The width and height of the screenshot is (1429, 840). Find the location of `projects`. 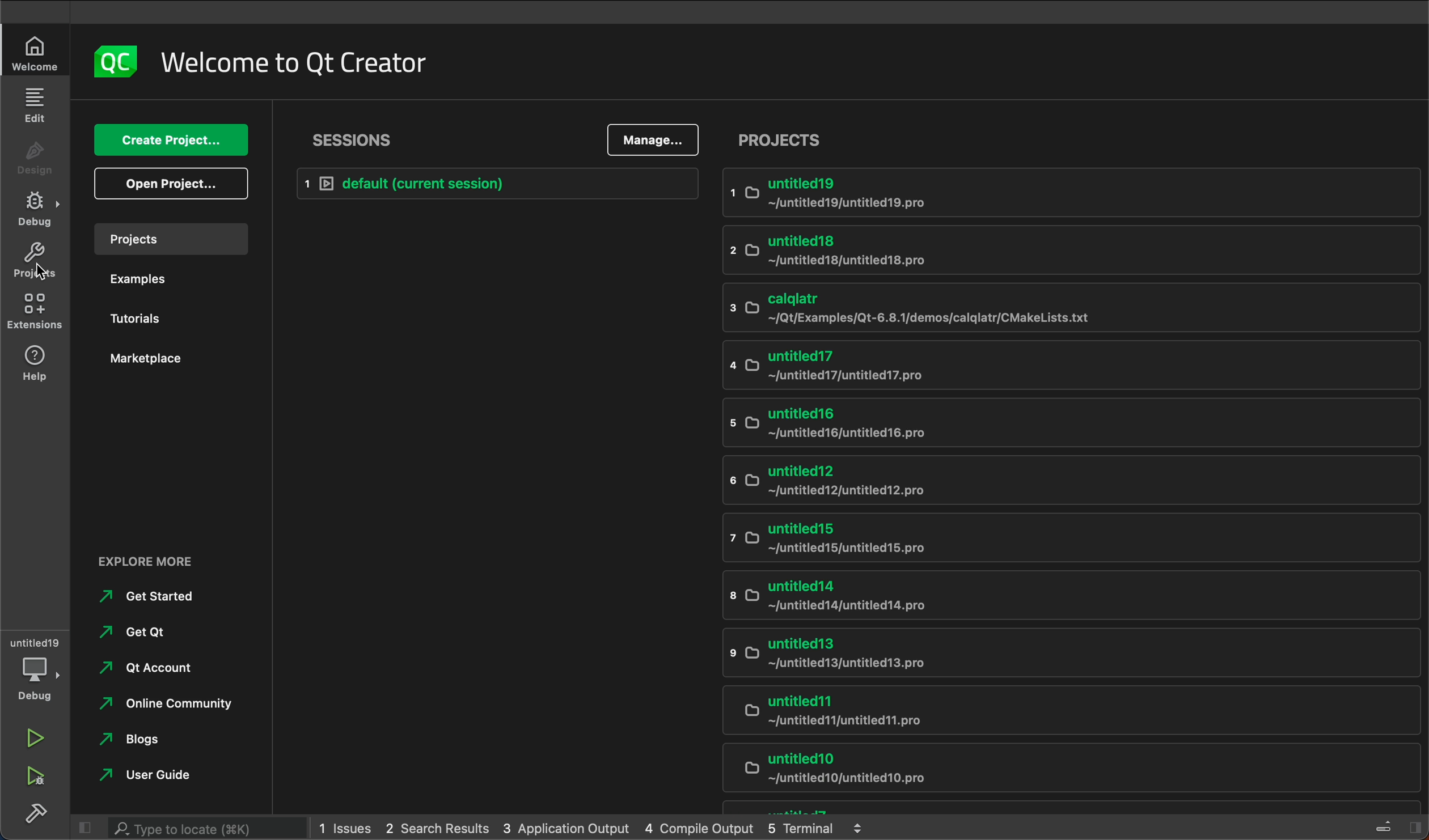

projects is located at coordinates (174, 237).